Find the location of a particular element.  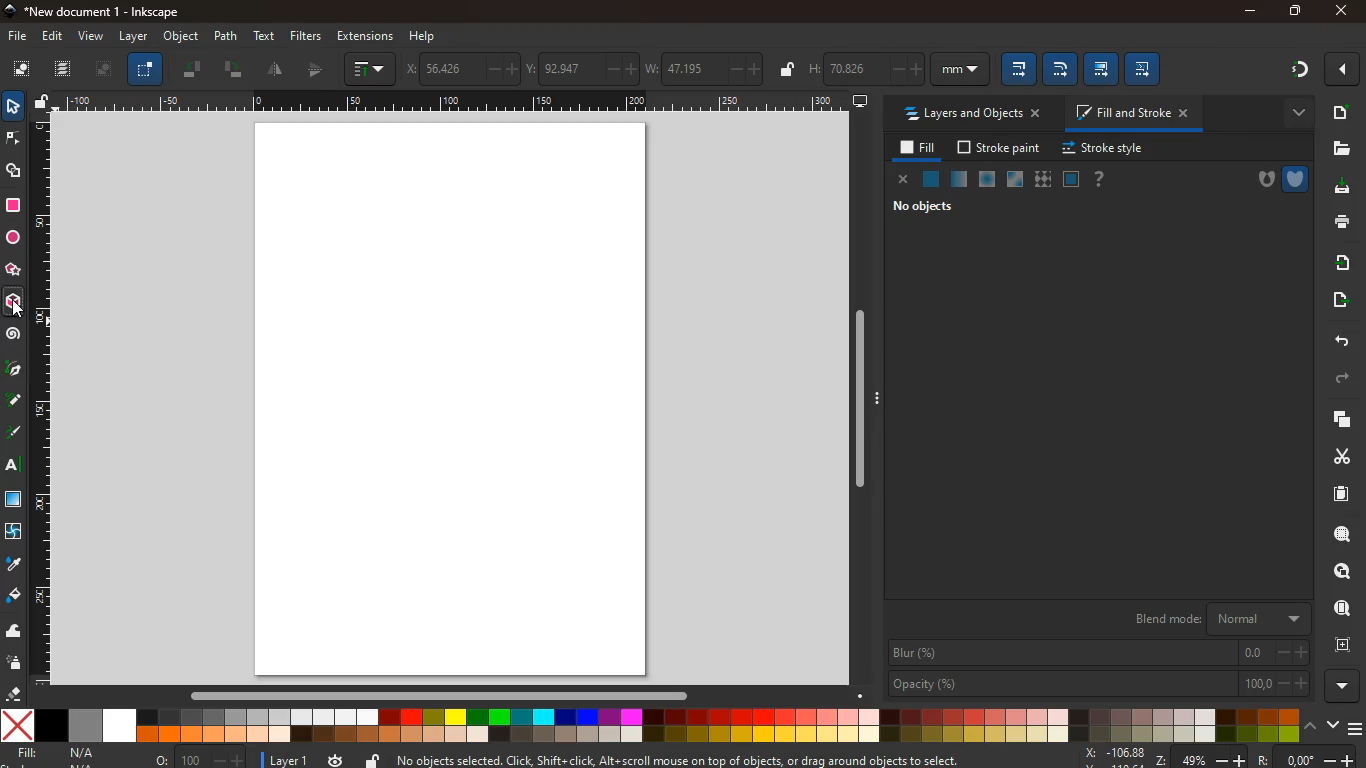

down is located at coordinates (1332, 726).